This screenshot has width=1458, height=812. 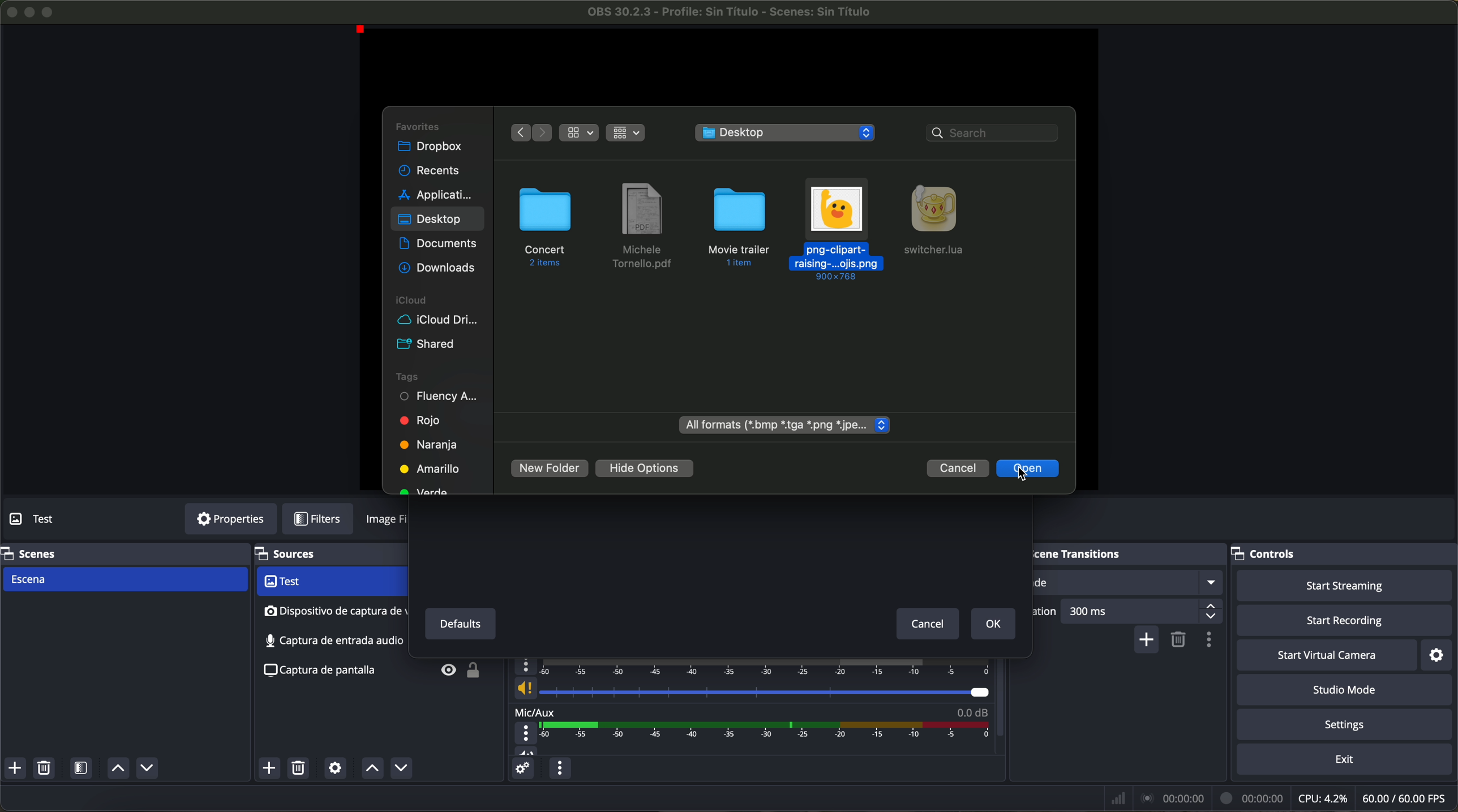 What do you see at coordinates (929, 625) in the screenshot?
I see `cancel` at bounding box center [929, 625].